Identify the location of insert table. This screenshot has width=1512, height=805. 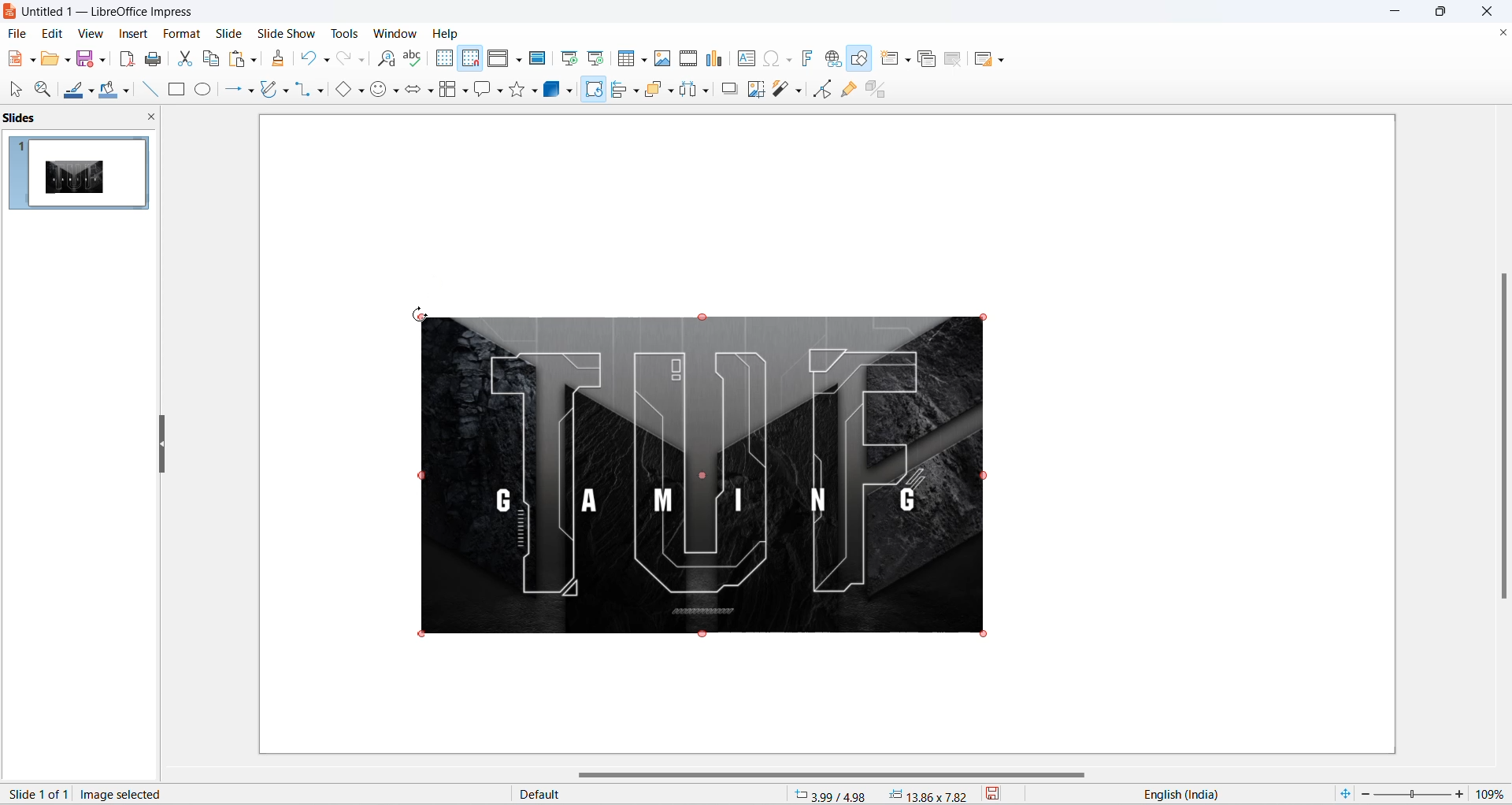
(627, 59).